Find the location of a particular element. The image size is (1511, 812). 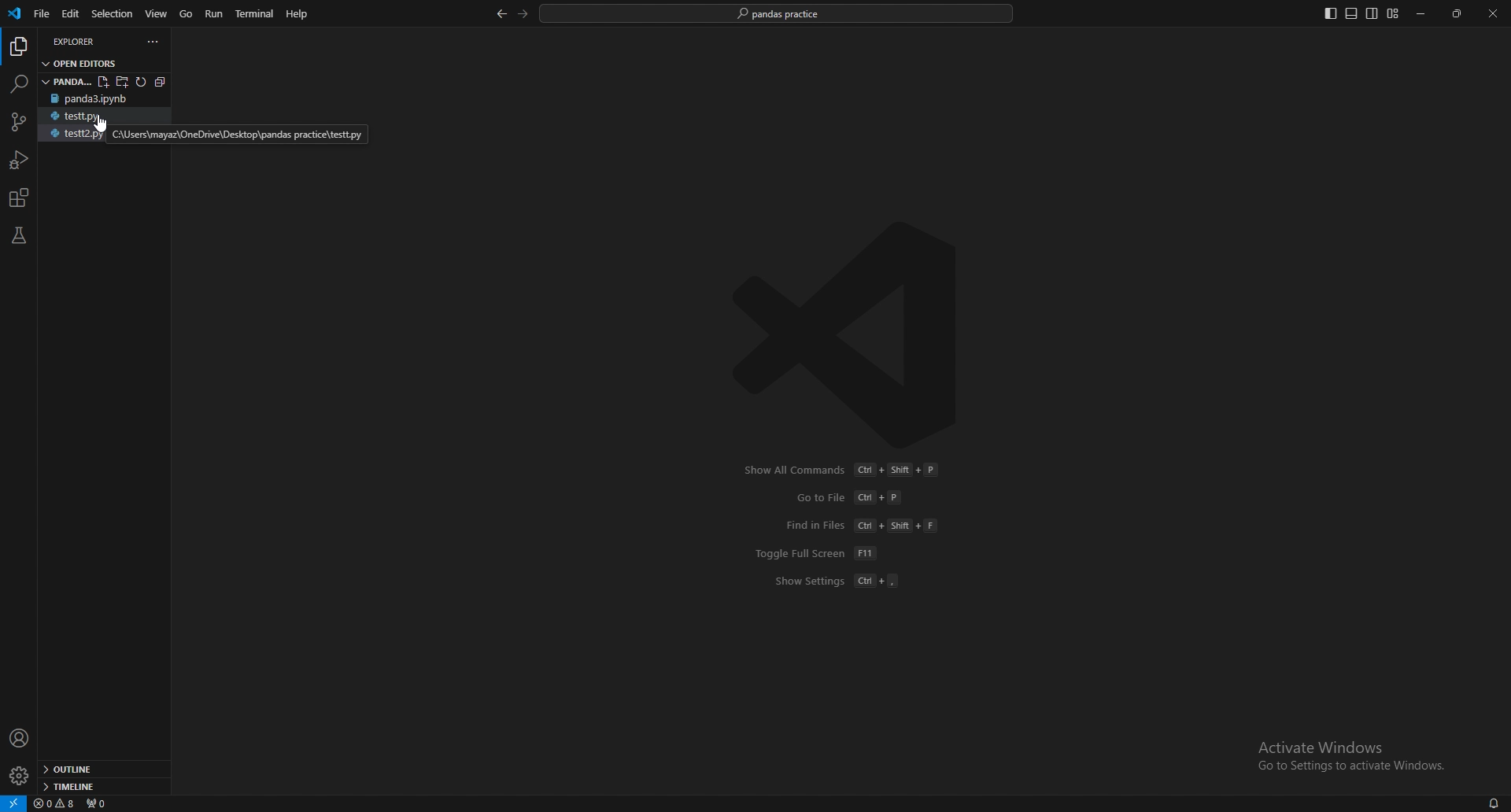

extensions is located at coordinates (20, 198).